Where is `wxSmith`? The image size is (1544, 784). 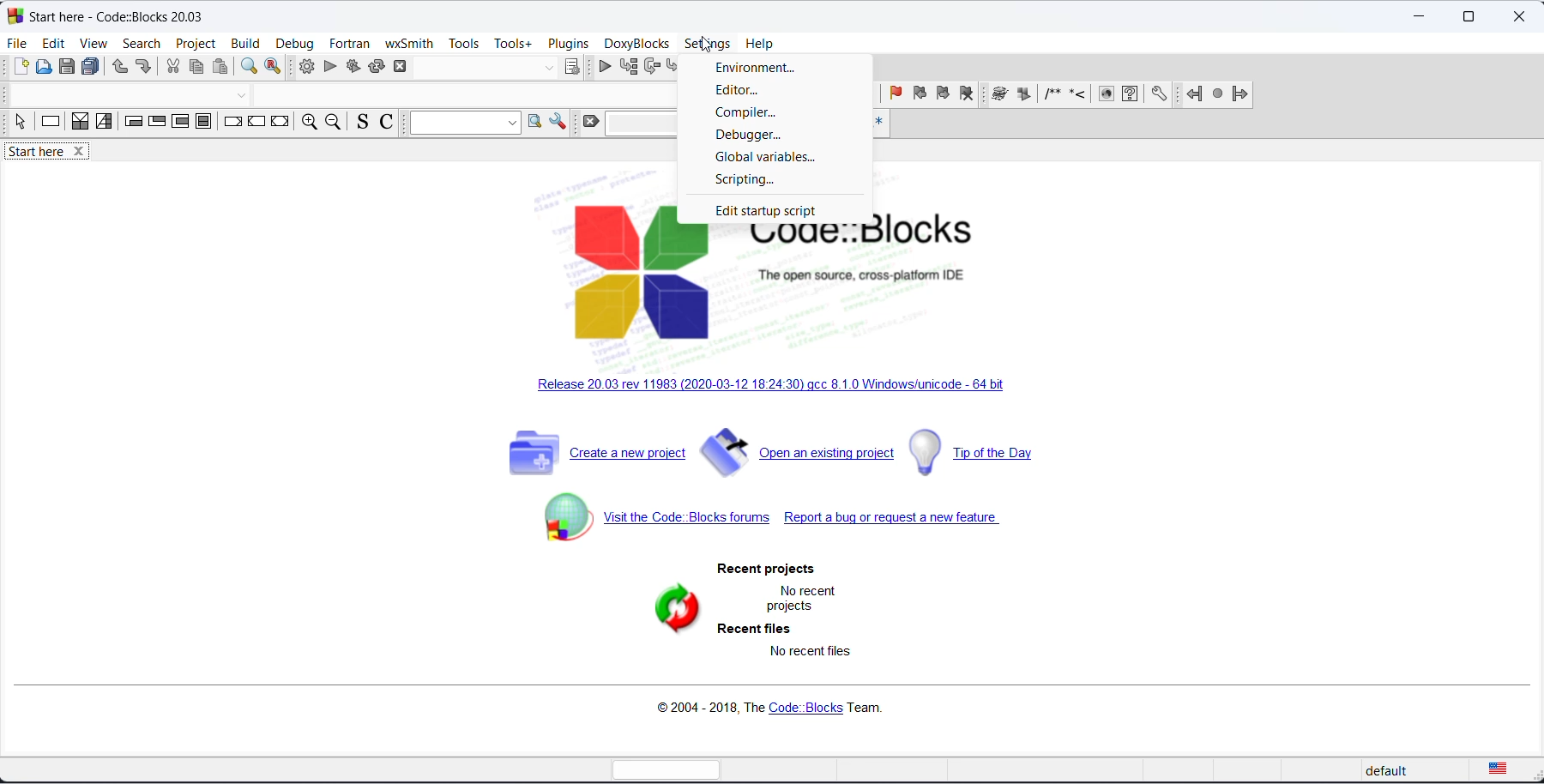 wxSmith is located at coordinates (408, 44).